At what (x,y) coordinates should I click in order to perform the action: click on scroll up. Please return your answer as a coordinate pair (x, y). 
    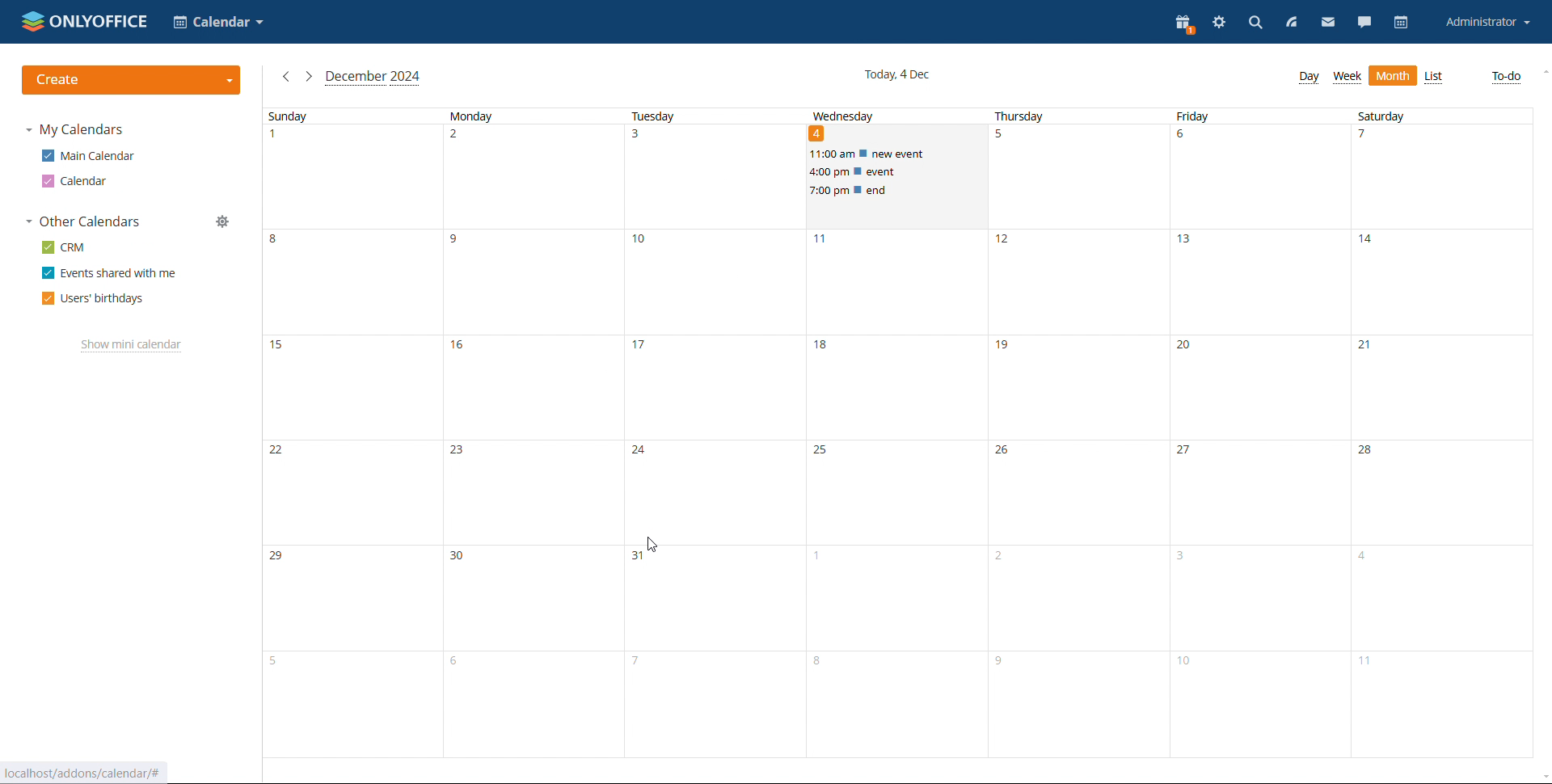
    Looking at the image, I should click on (1542, 72).